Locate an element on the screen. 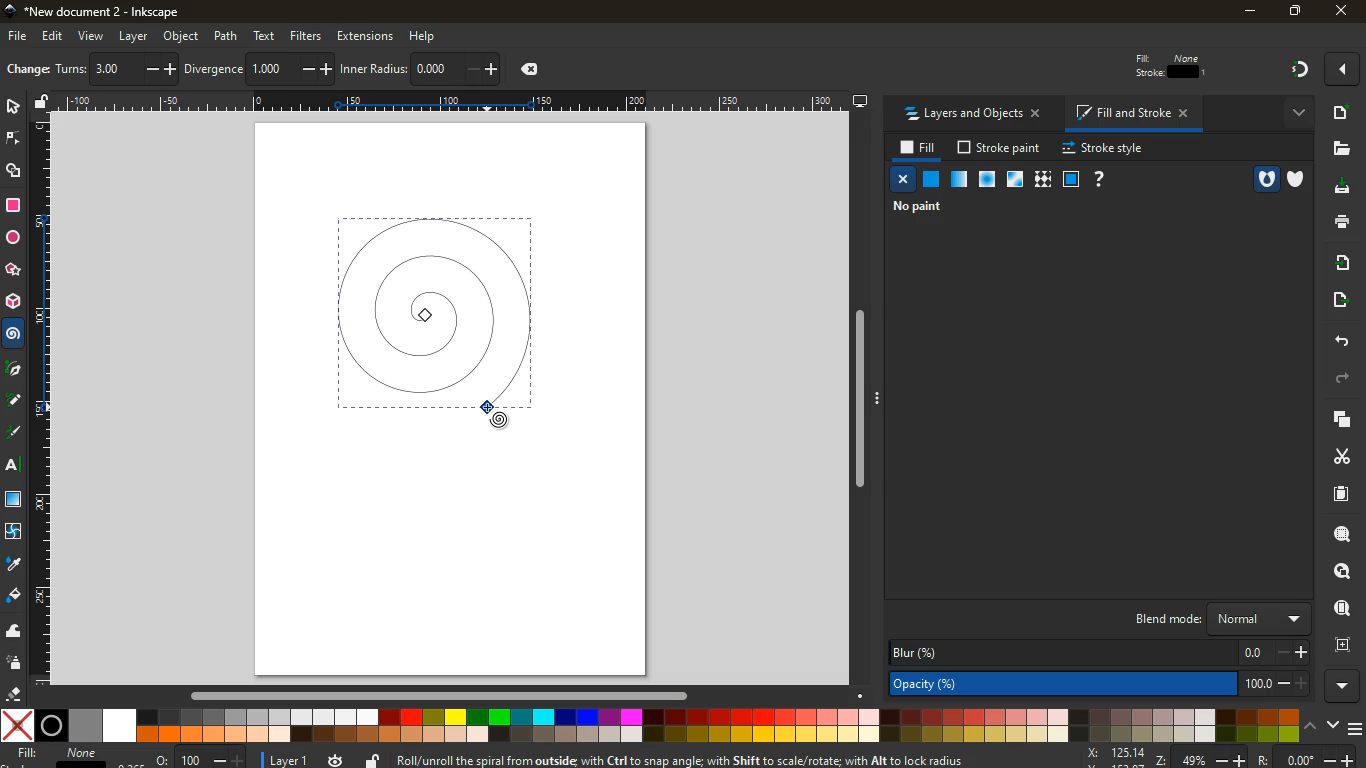 The height and width of the screenshot is (768, 1366). time is located at coordinates (336, 758).